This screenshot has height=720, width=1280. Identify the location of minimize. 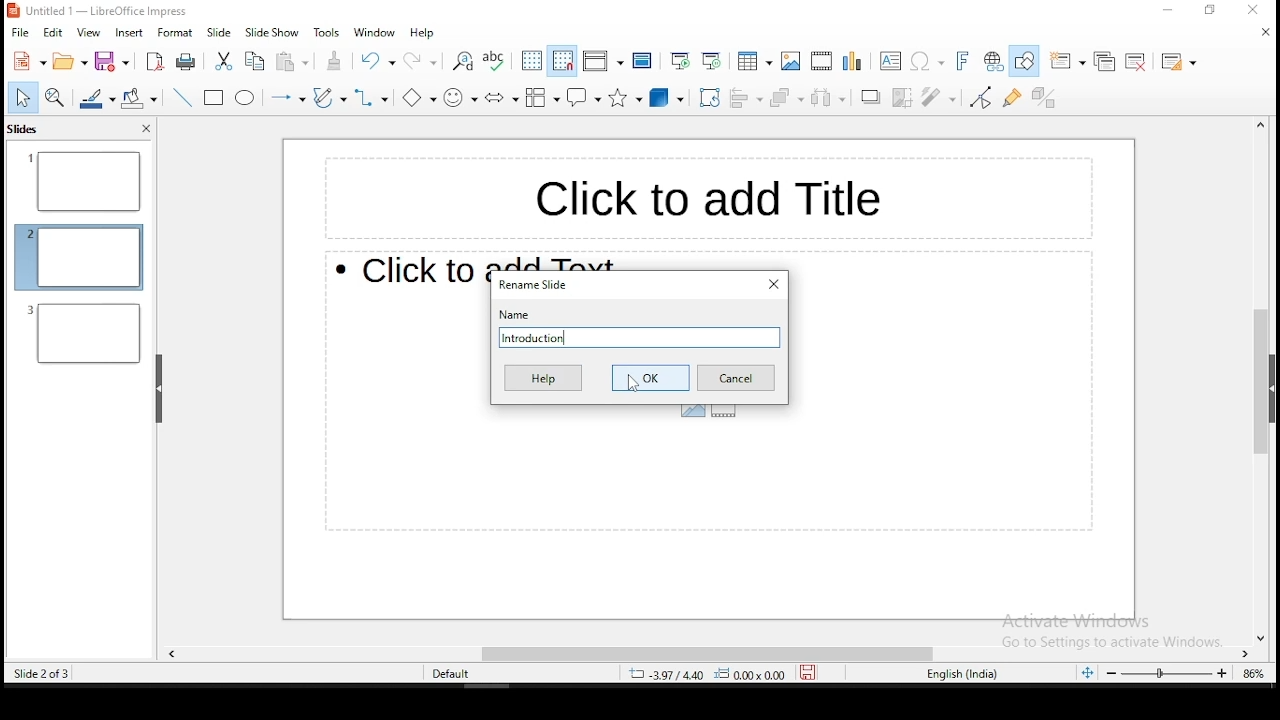
(1156, 14).